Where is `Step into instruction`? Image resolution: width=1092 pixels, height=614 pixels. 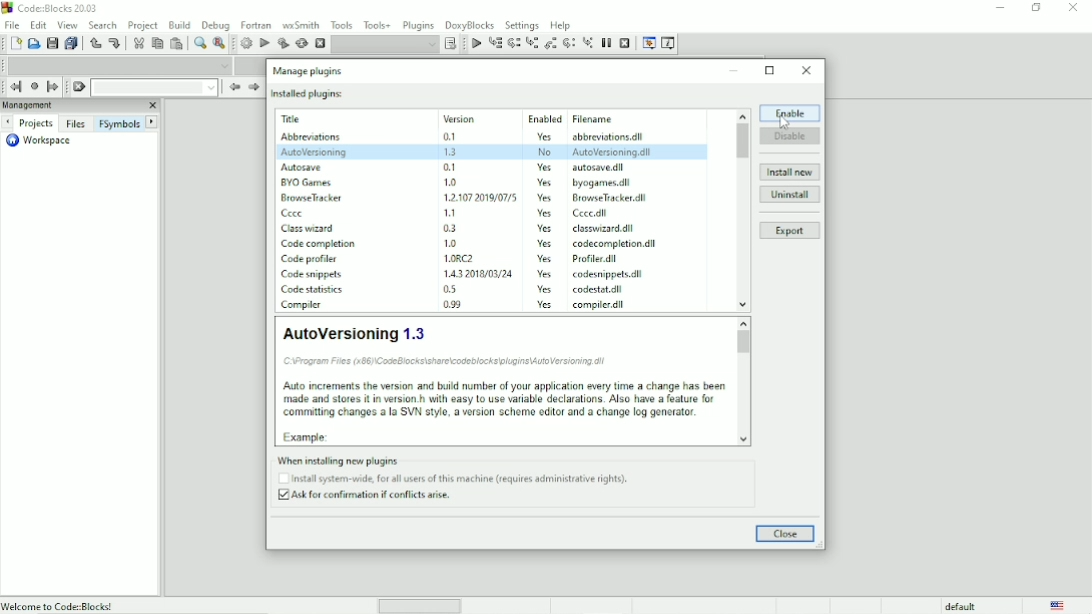 Step into instruction is located at coordinates (587, 43).